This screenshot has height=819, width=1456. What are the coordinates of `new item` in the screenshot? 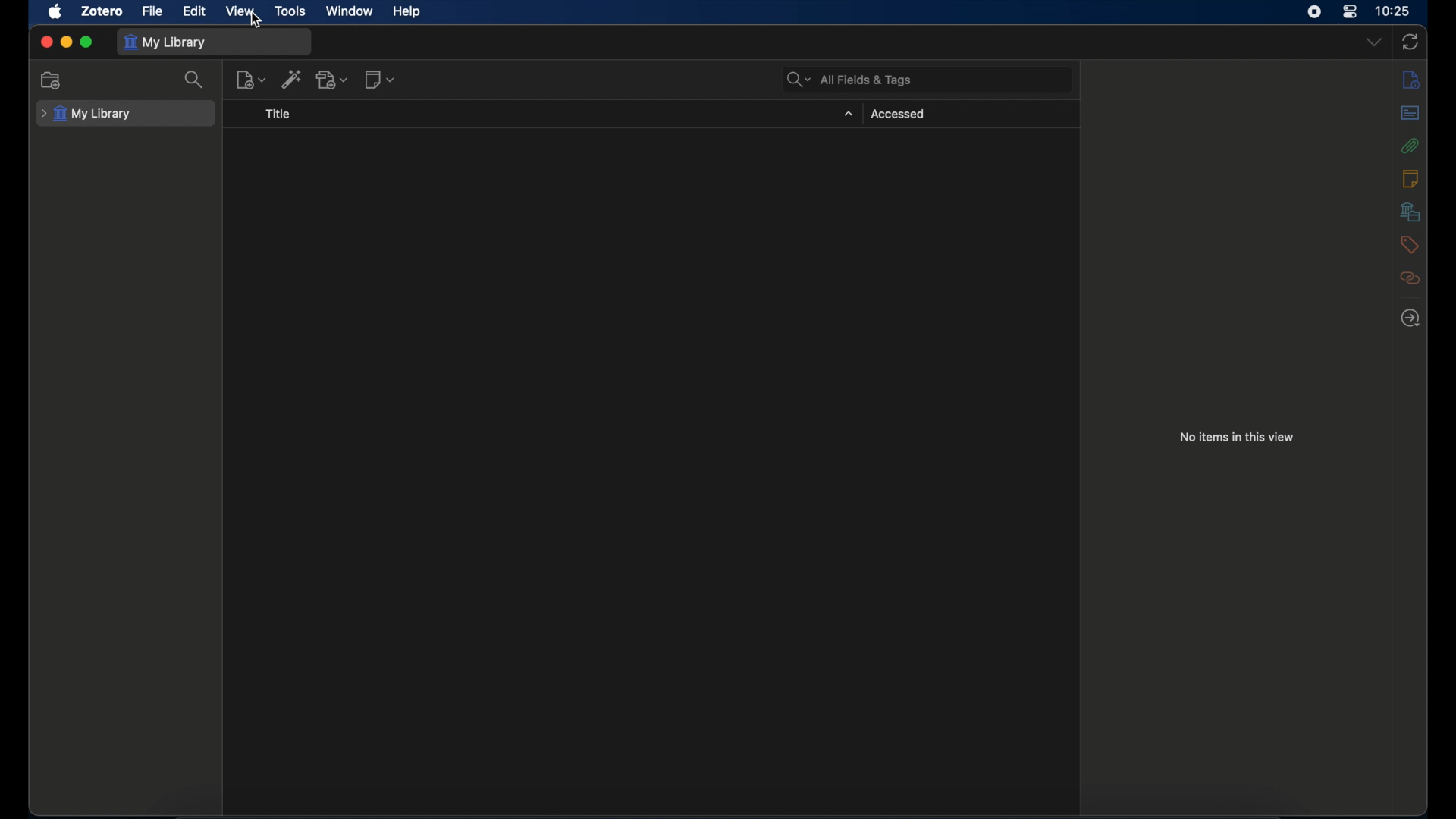 It's located at (250, 79).